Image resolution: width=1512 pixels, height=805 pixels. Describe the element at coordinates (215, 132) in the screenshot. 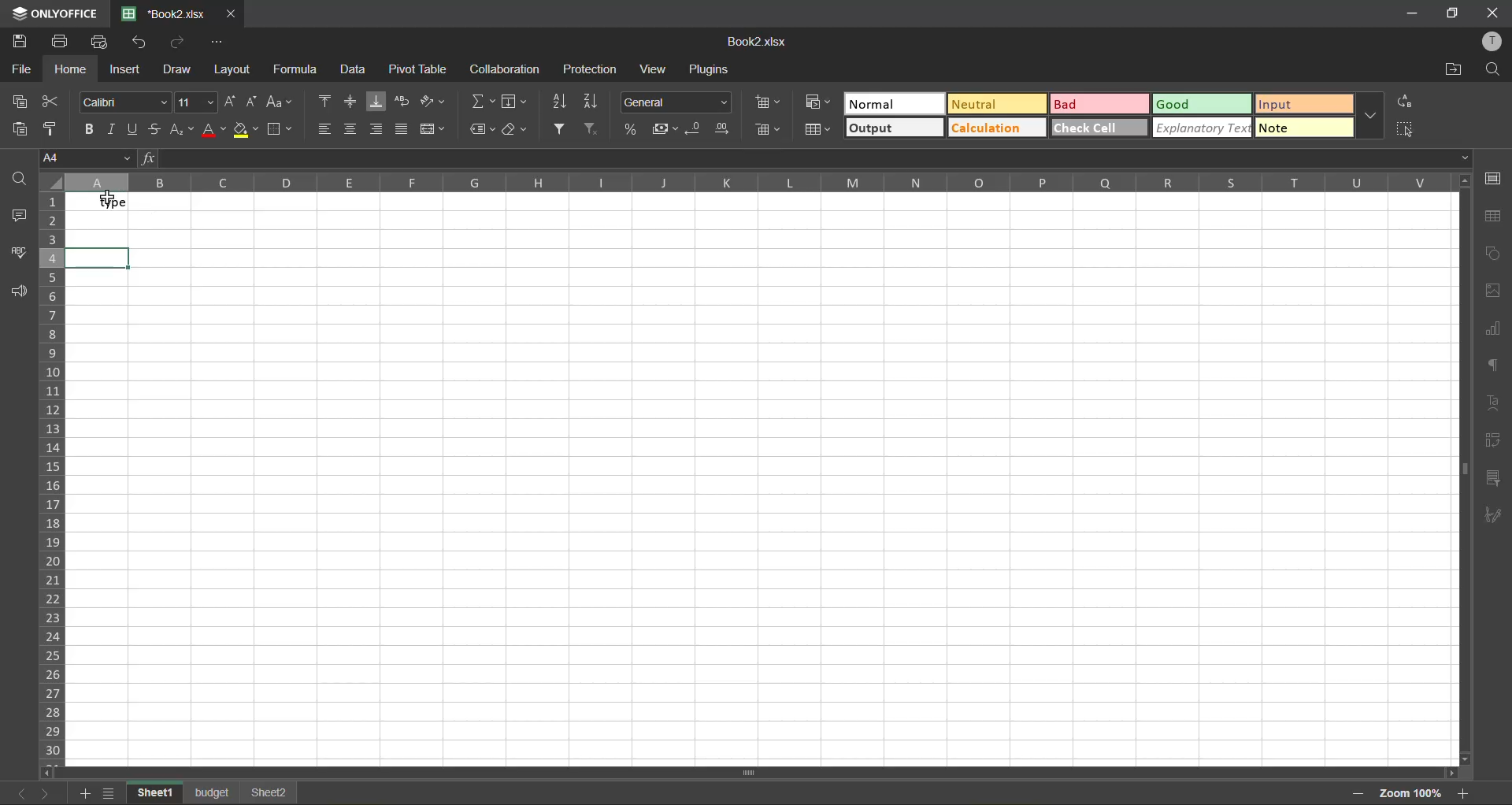

I see `font color` at that location.